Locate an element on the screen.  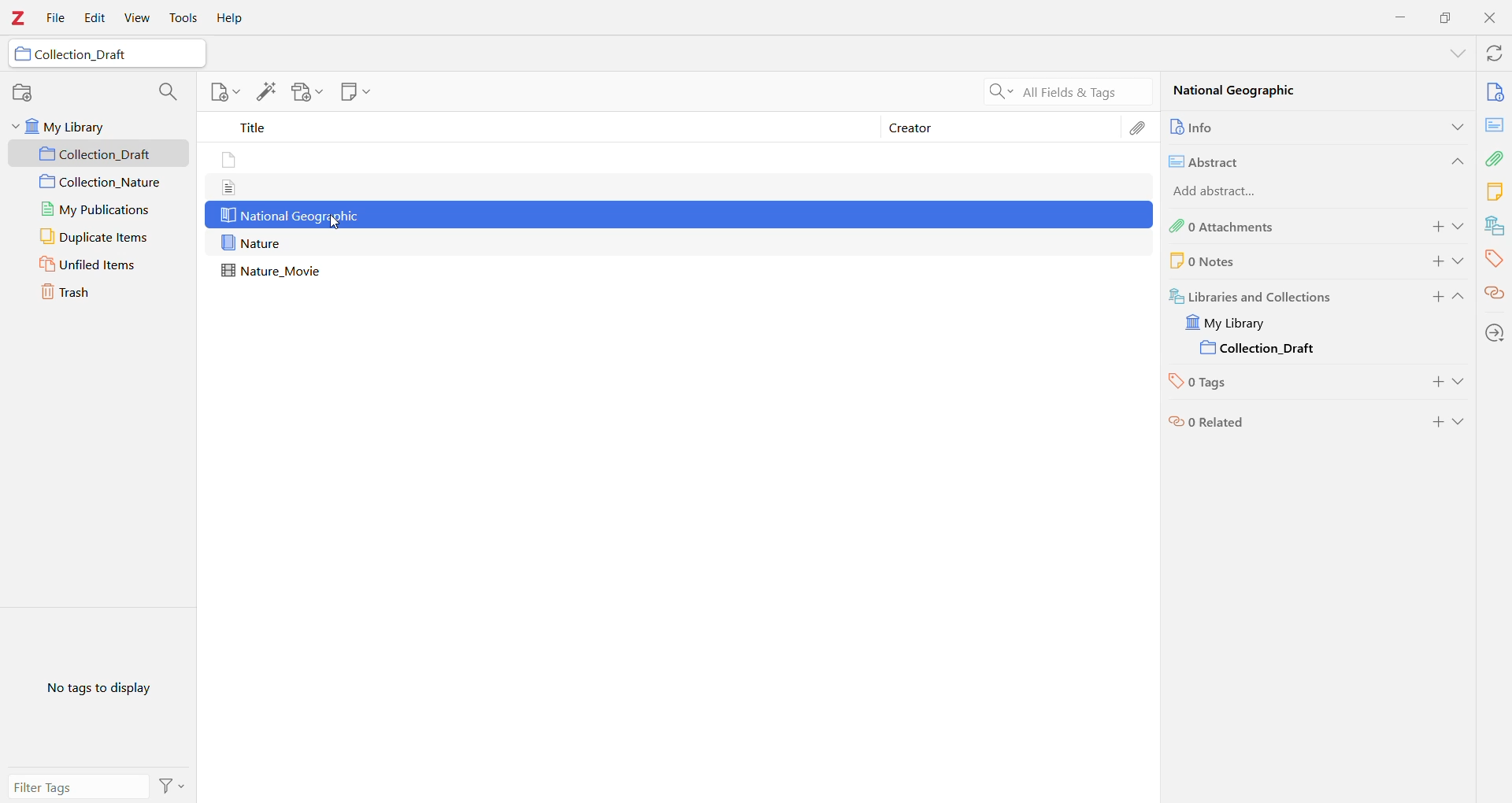
Expand Section is located at coordinates (1457, 54).